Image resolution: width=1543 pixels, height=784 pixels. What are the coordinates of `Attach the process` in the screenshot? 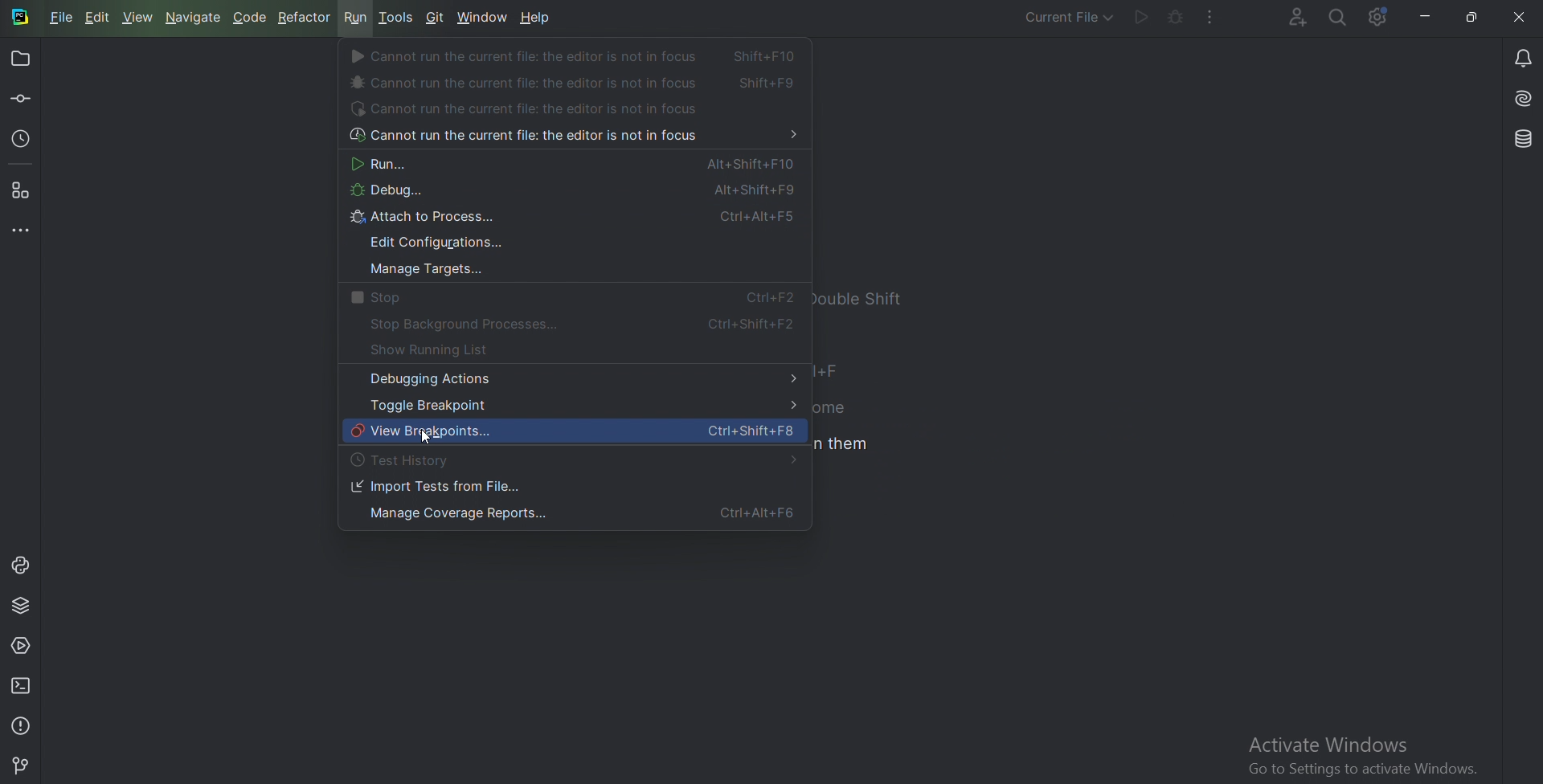 It's located at (575, 219).